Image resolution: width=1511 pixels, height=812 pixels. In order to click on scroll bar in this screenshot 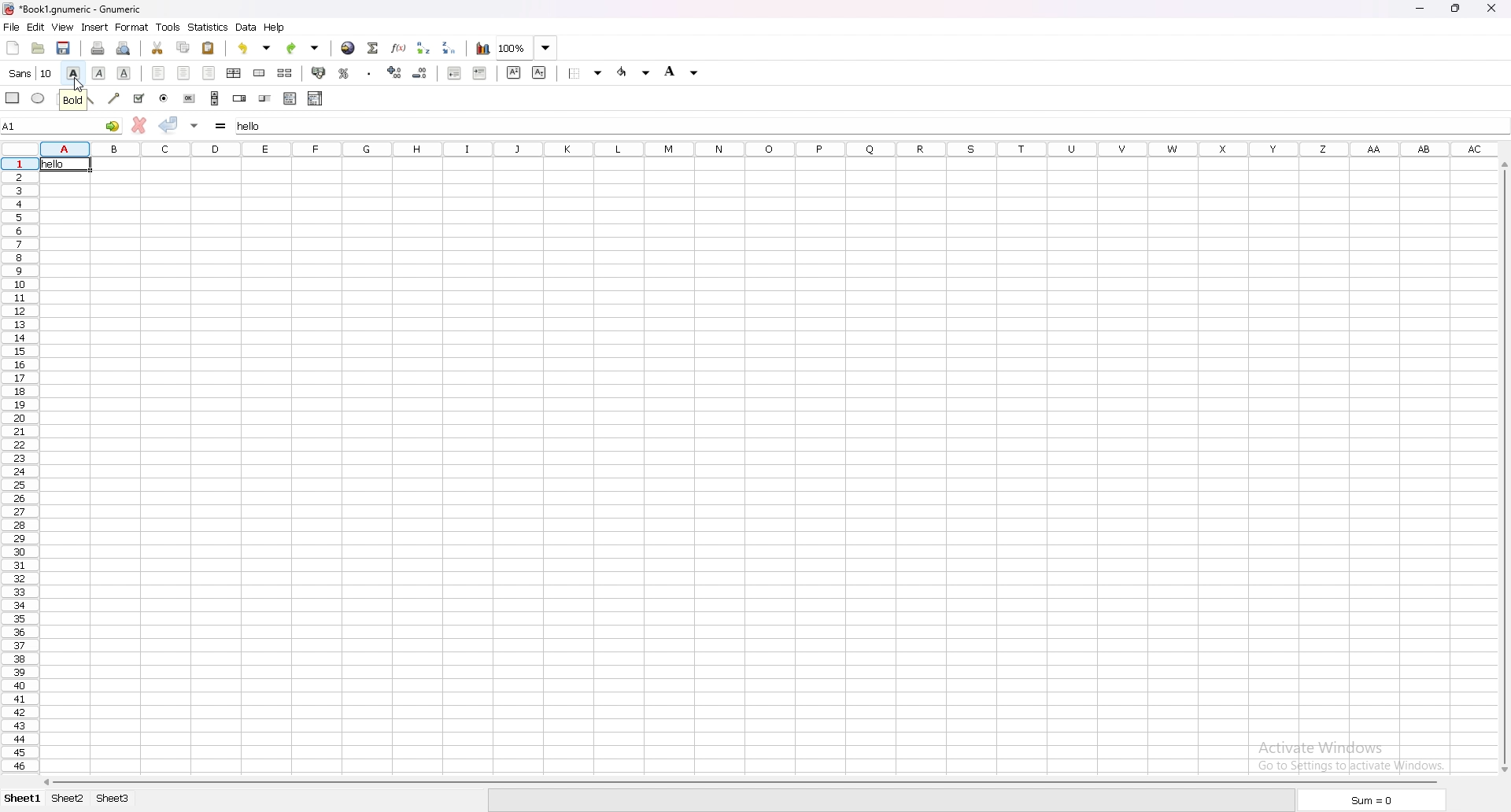, I will do `click(214, 98)`.